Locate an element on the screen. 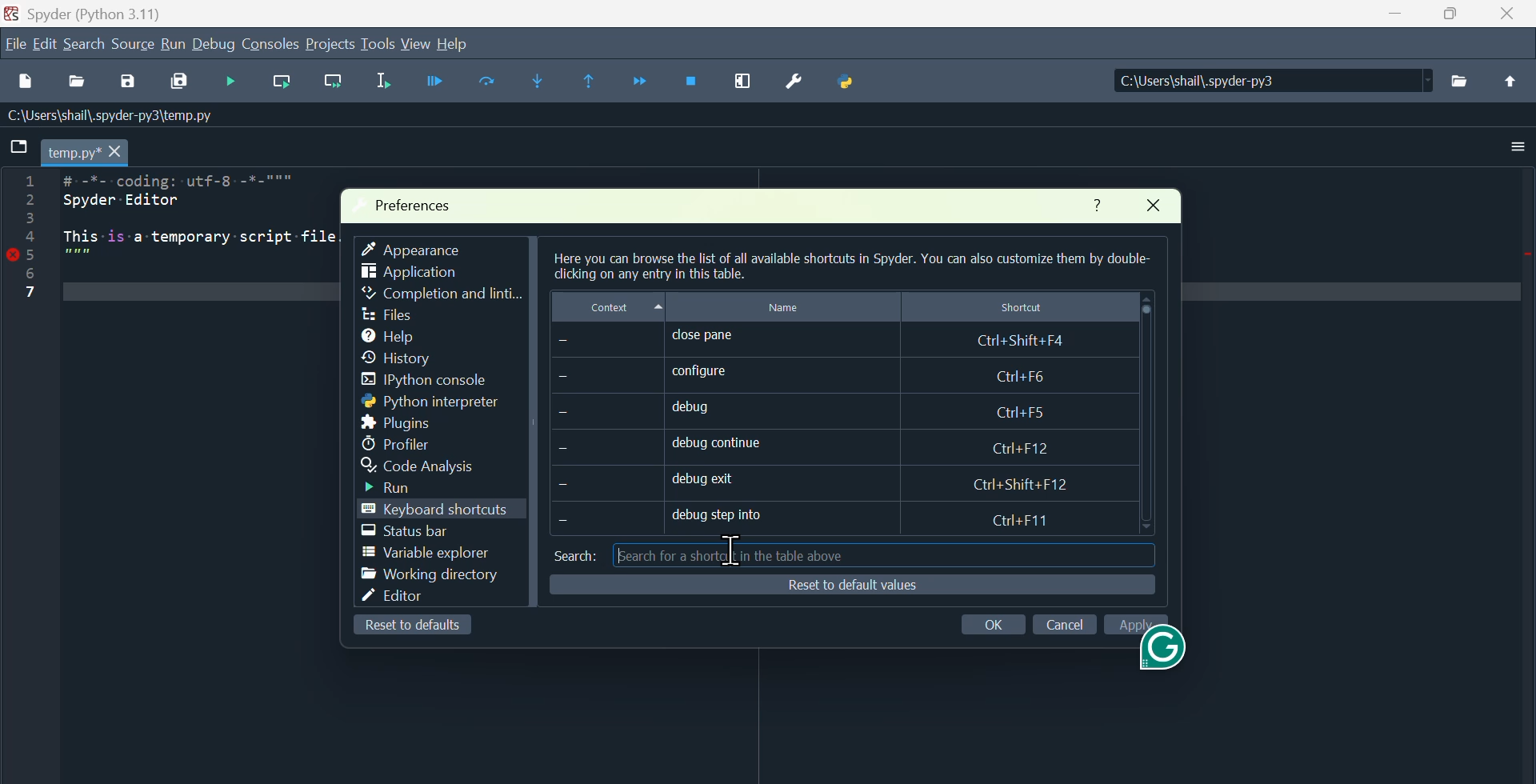 The width and height of the screenshot is (1536, 784). Preferences is located at coordinates (805, 81).